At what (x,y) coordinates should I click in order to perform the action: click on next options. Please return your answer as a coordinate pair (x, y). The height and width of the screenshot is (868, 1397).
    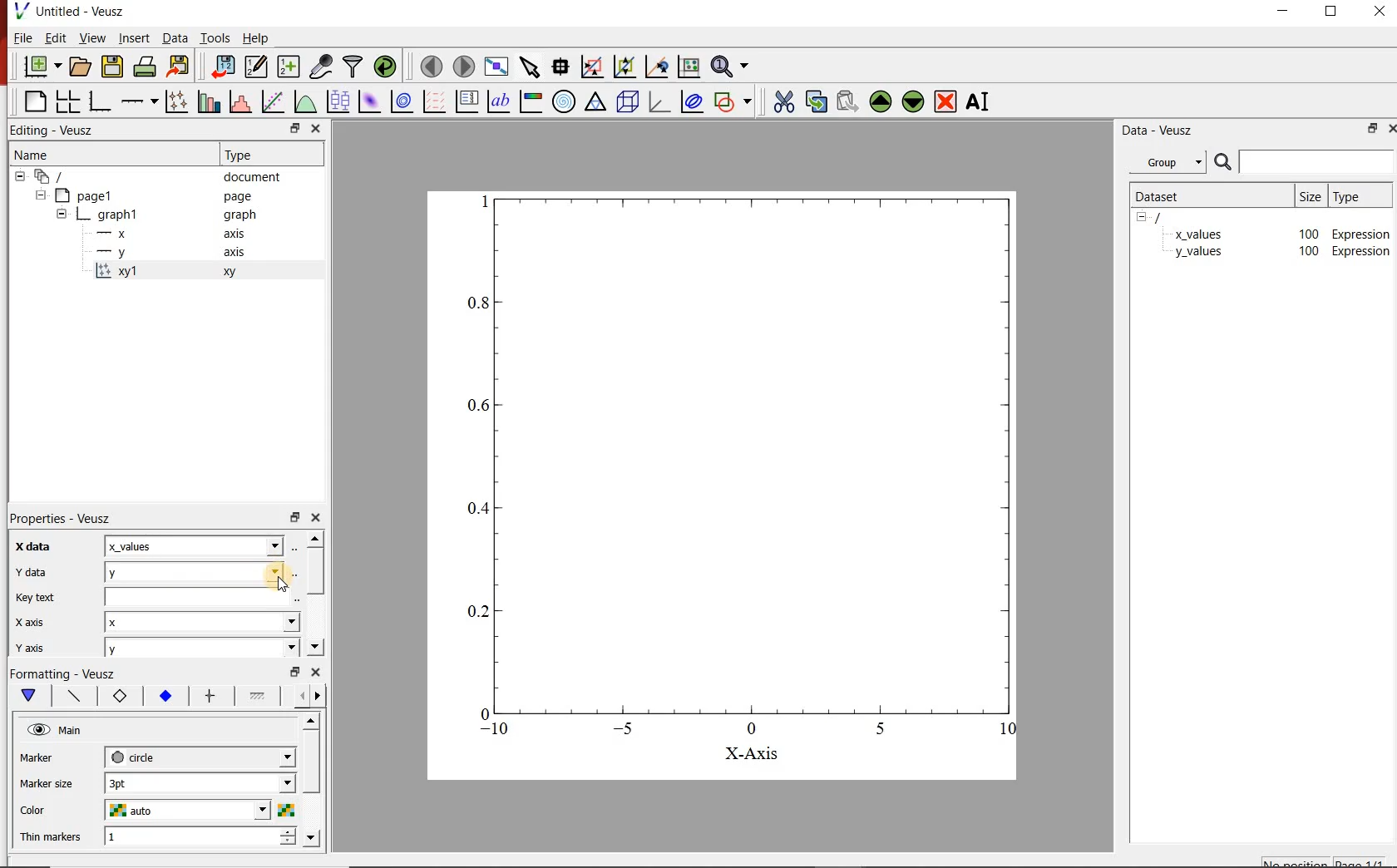
    Looking at the image, I should click on (321, 697).